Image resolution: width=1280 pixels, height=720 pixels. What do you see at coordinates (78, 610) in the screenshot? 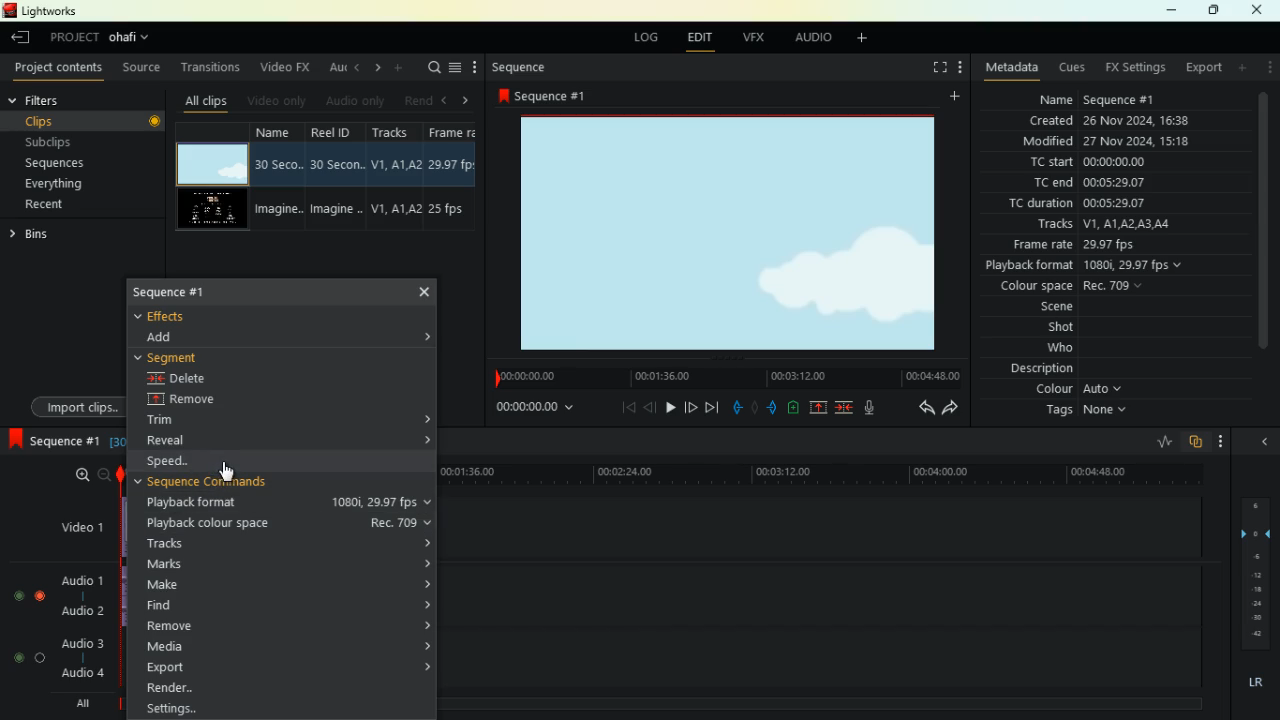
I see `audio2` at bounding box center [78, 610].